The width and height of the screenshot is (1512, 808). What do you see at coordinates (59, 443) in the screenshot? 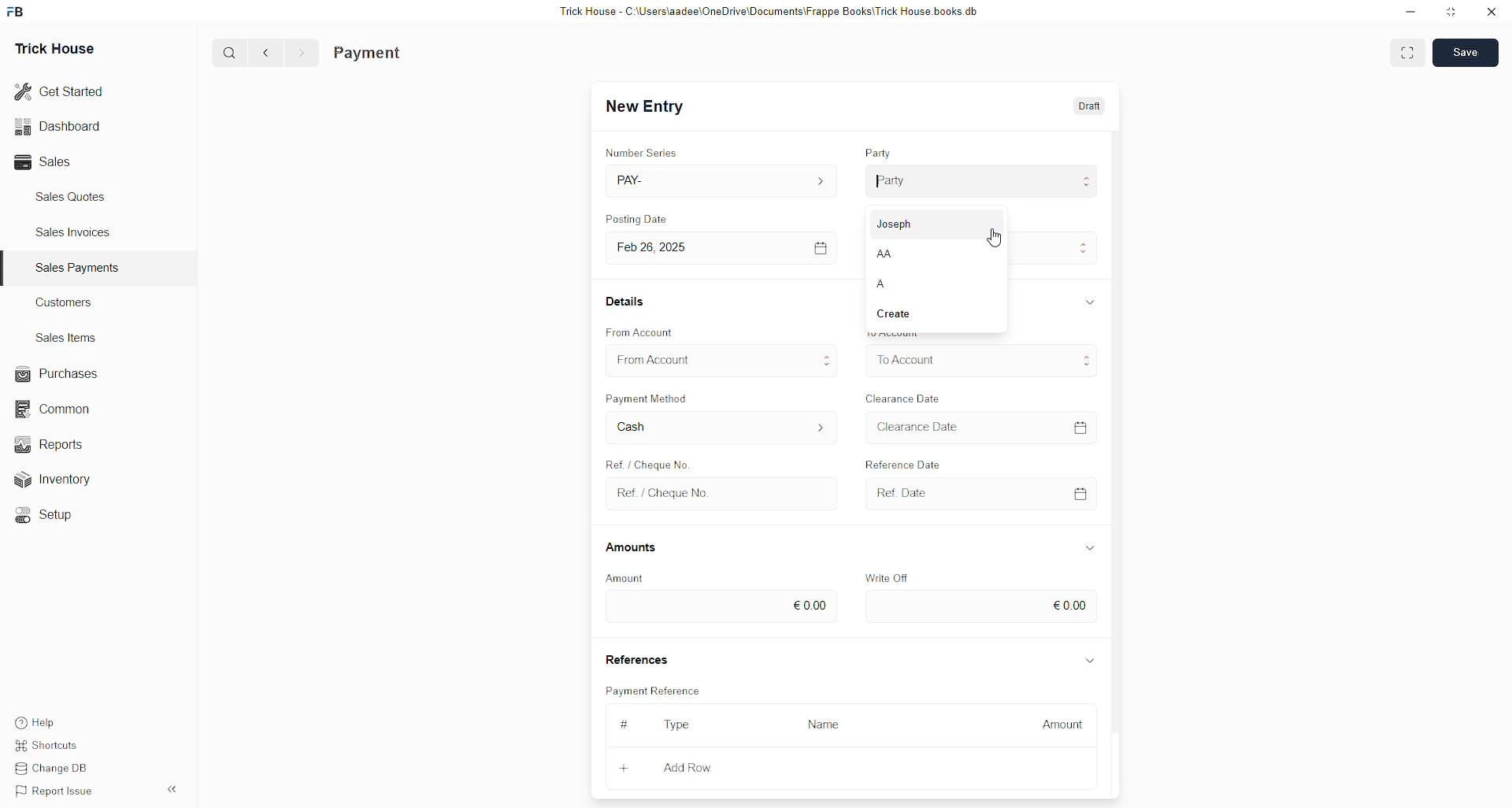
I see `Reports` at bounding box center [59, 443].